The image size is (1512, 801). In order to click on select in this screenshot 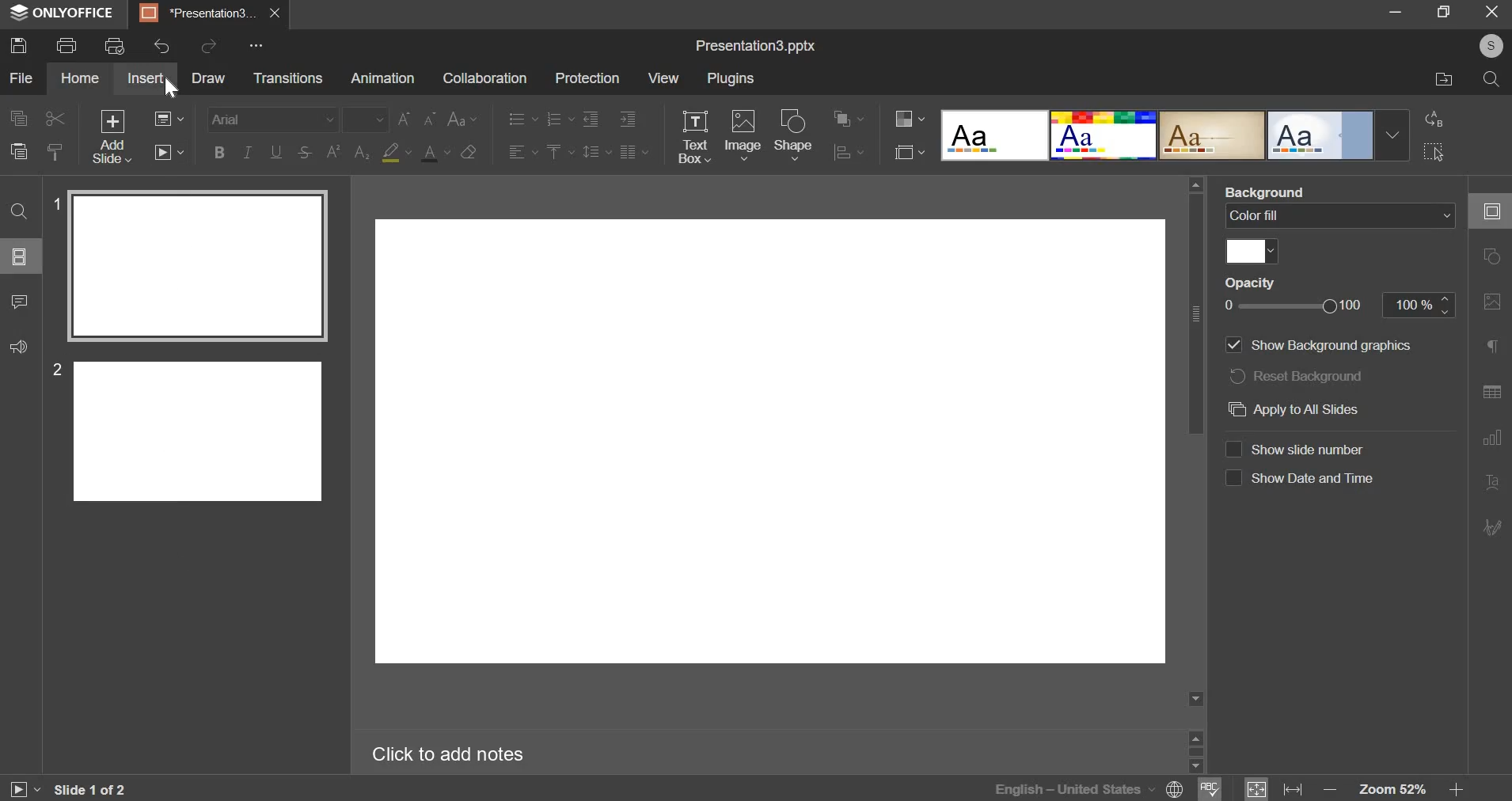, I will do `click(1433, 150)`.